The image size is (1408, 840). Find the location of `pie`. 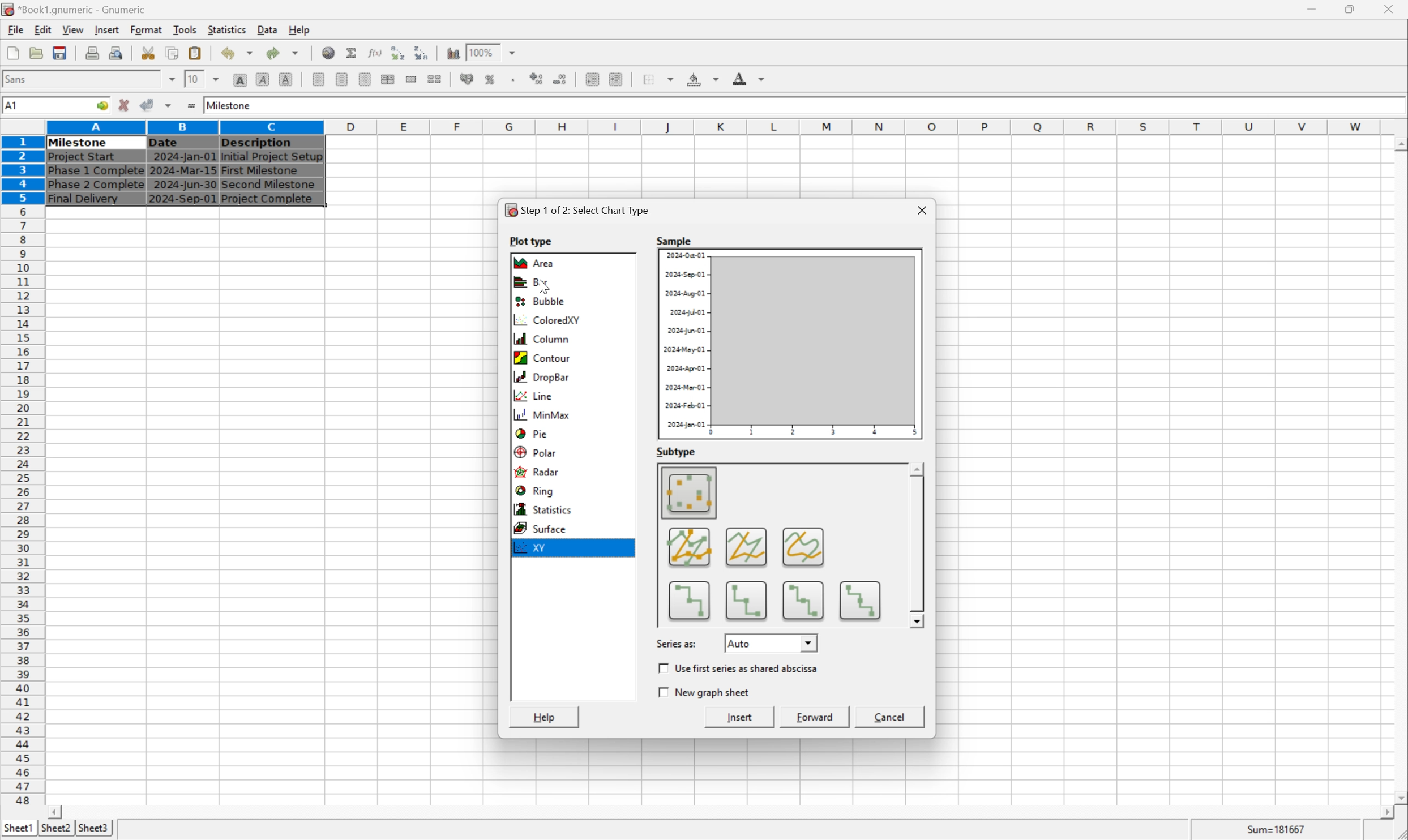

pie is located at coordinates (530, 432).